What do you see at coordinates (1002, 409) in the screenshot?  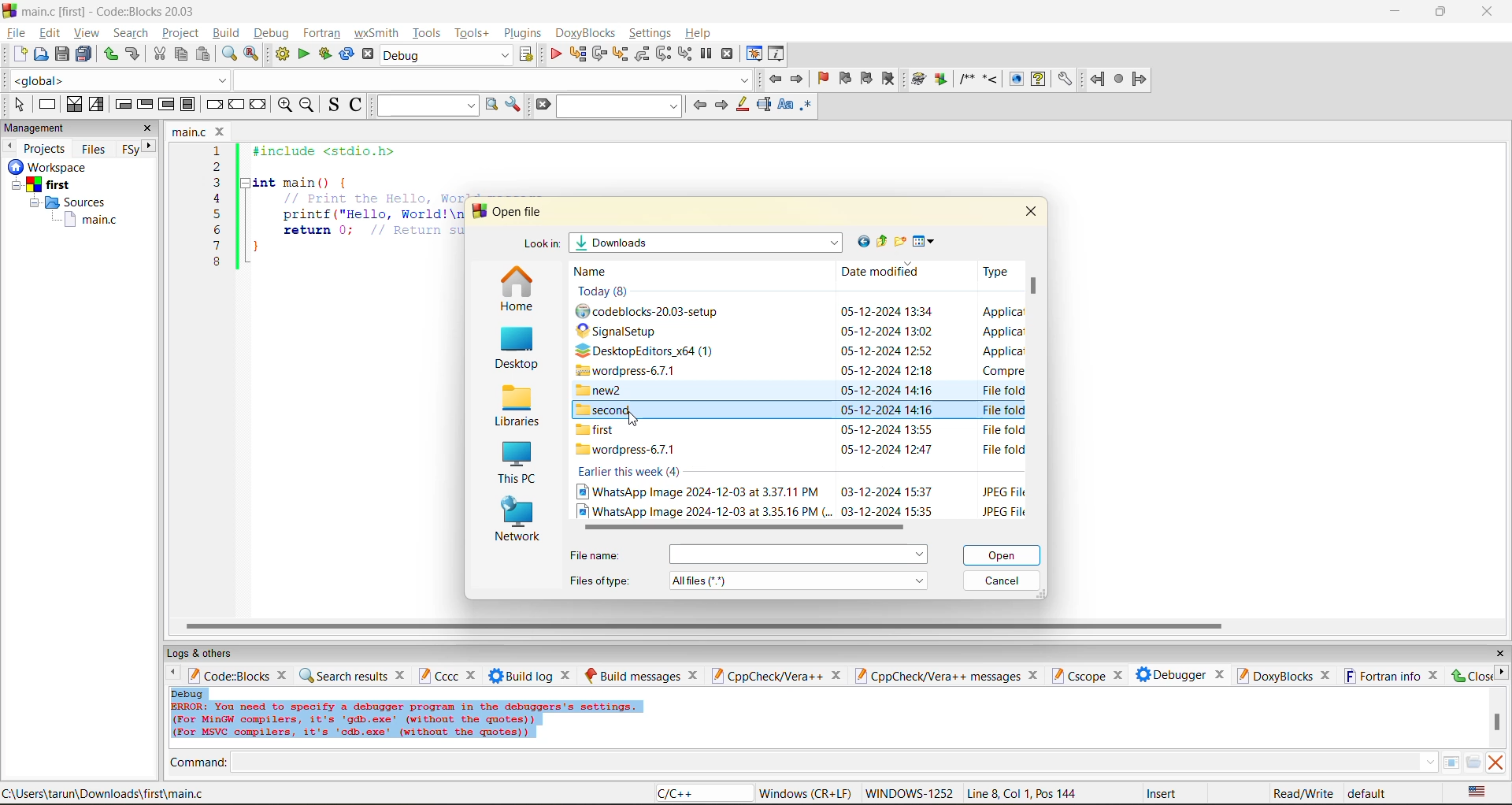 I see `type` at bounding box center [1002, 409].